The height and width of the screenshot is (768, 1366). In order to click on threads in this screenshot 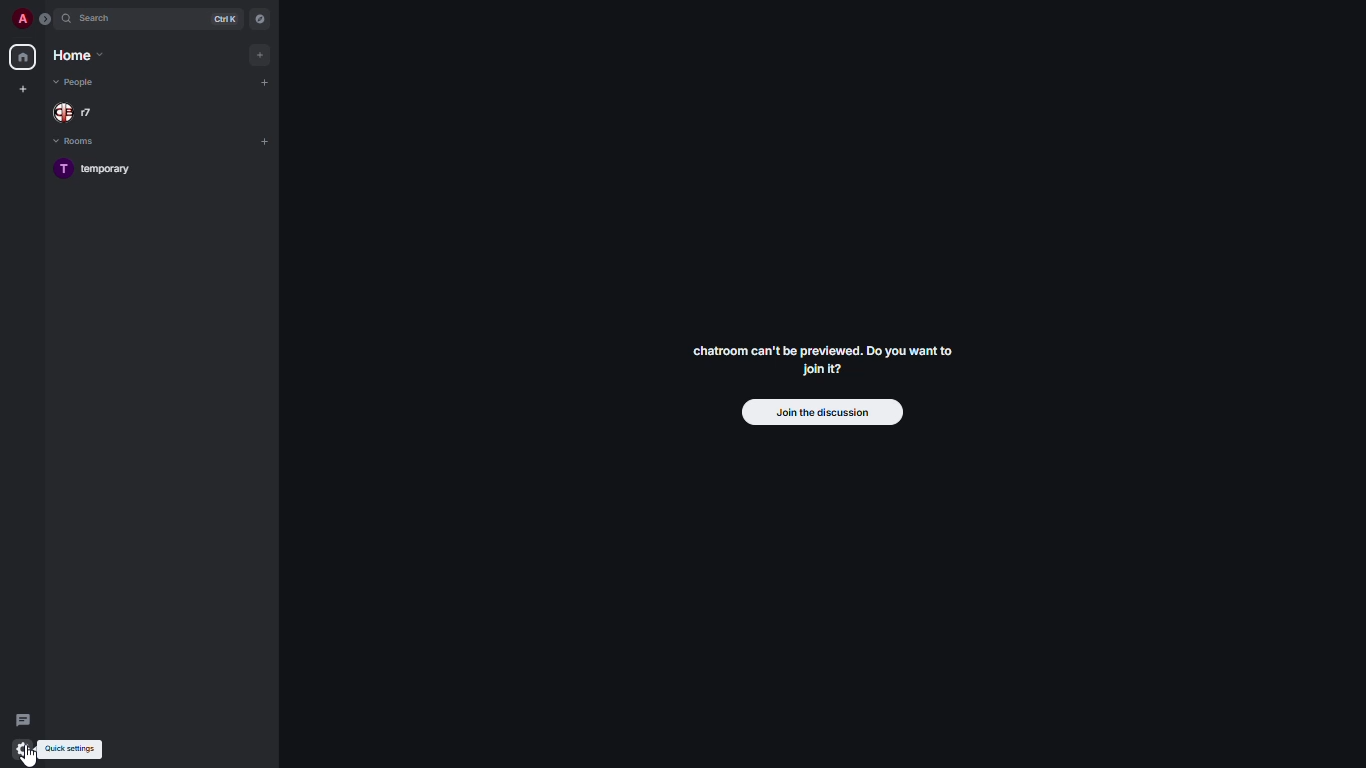, I will do `click(23, 716)`.